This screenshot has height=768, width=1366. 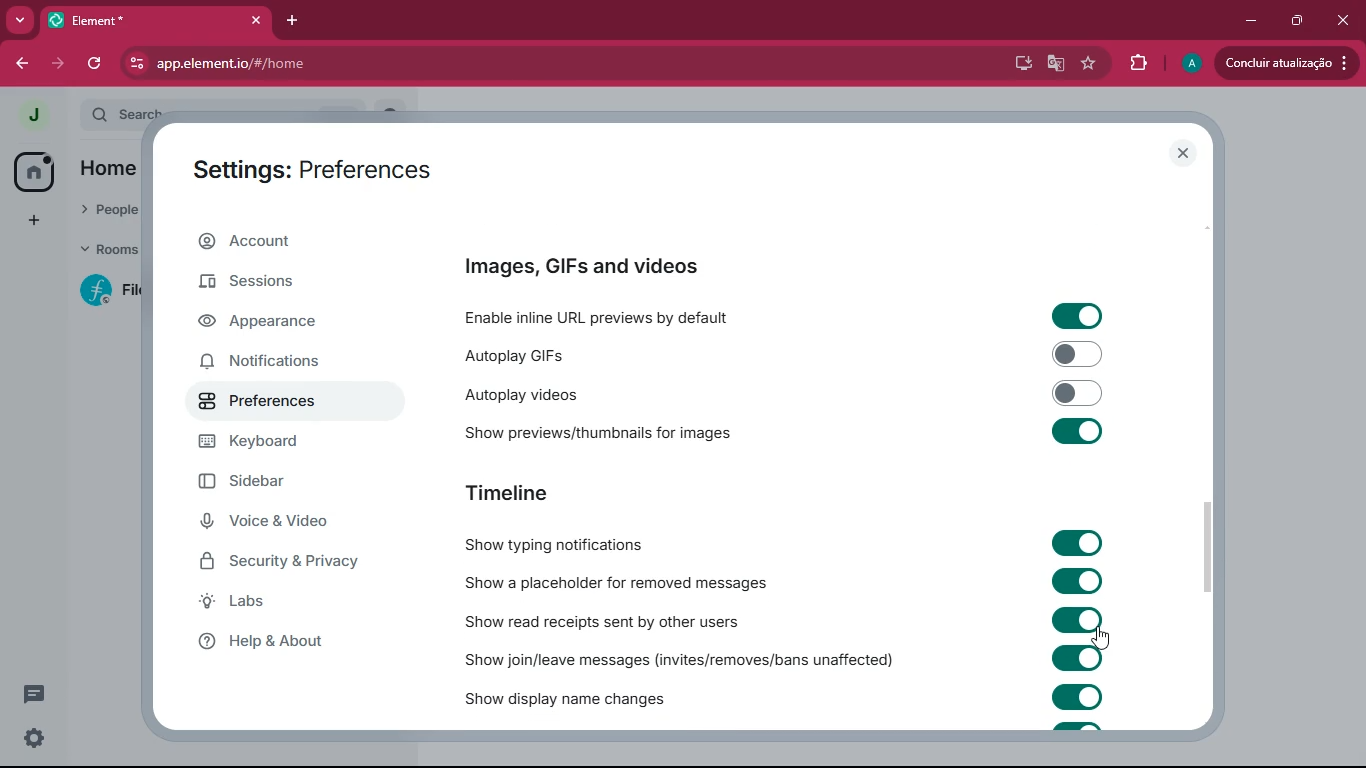 I want to click on show previews/thumbnails for images, so click(x=625, y=430).